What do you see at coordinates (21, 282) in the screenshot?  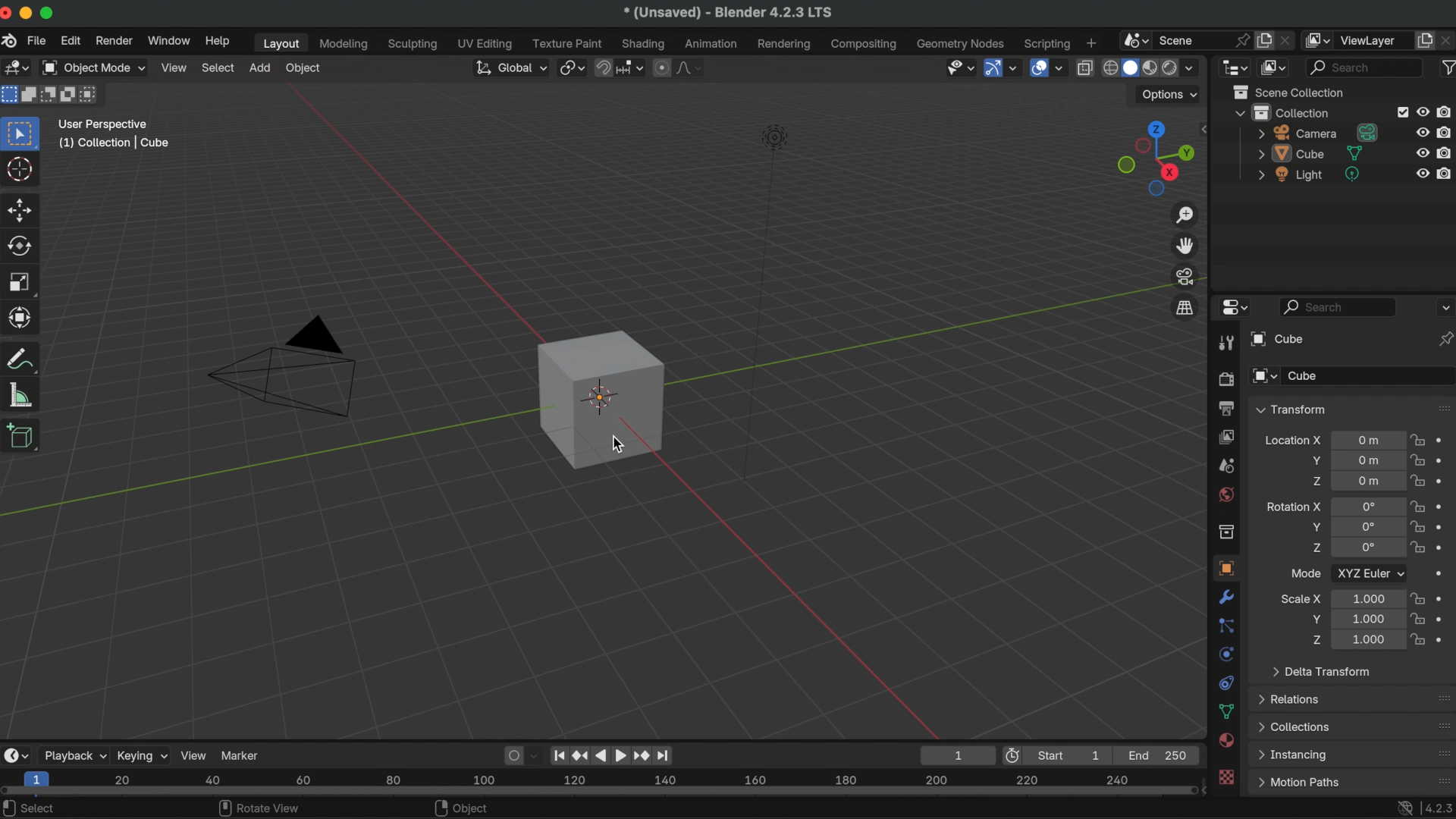 I see `scale` at bounding box center [21, 282].